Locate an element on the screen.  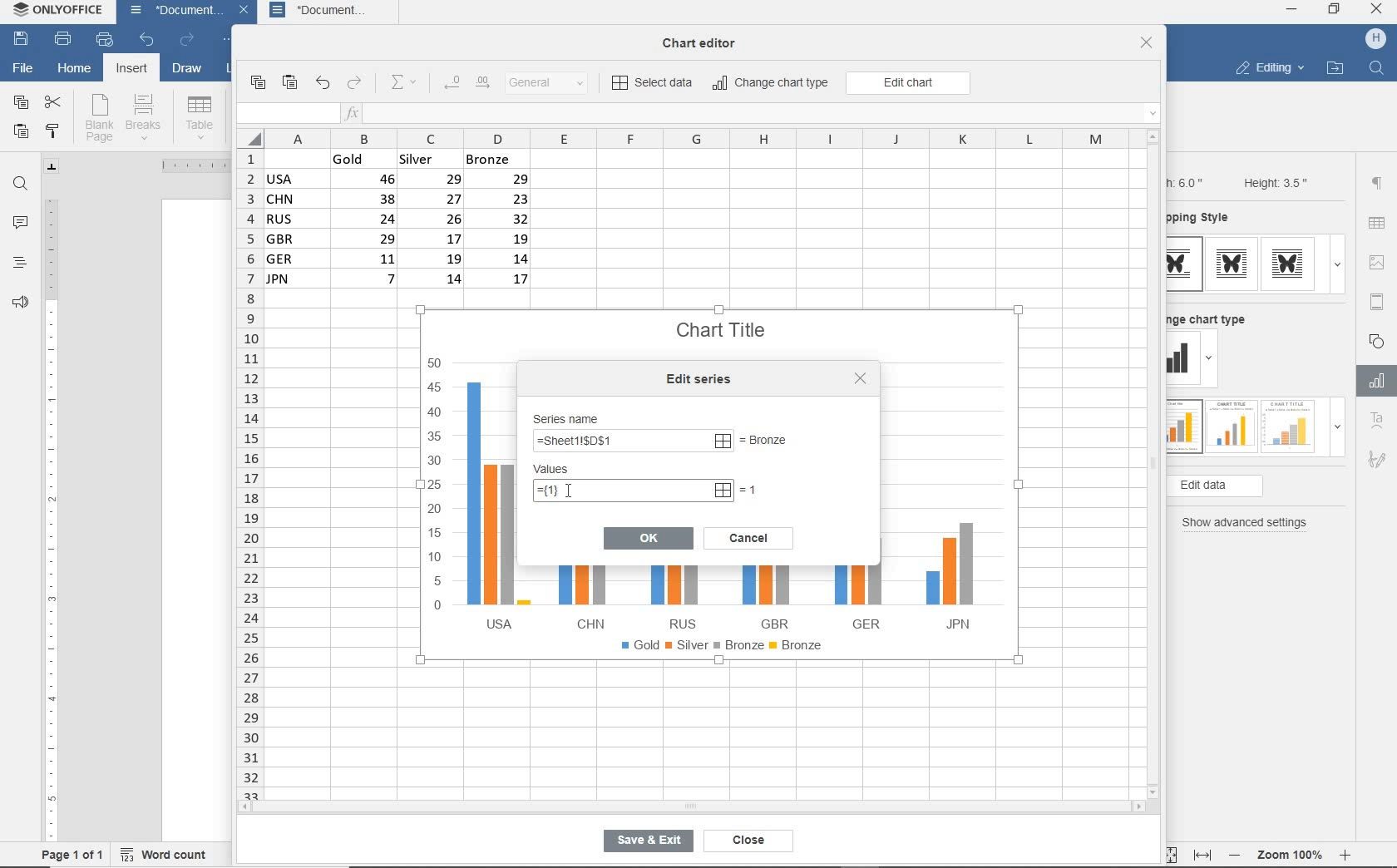
restore down is located at coordinates (1335, 11).